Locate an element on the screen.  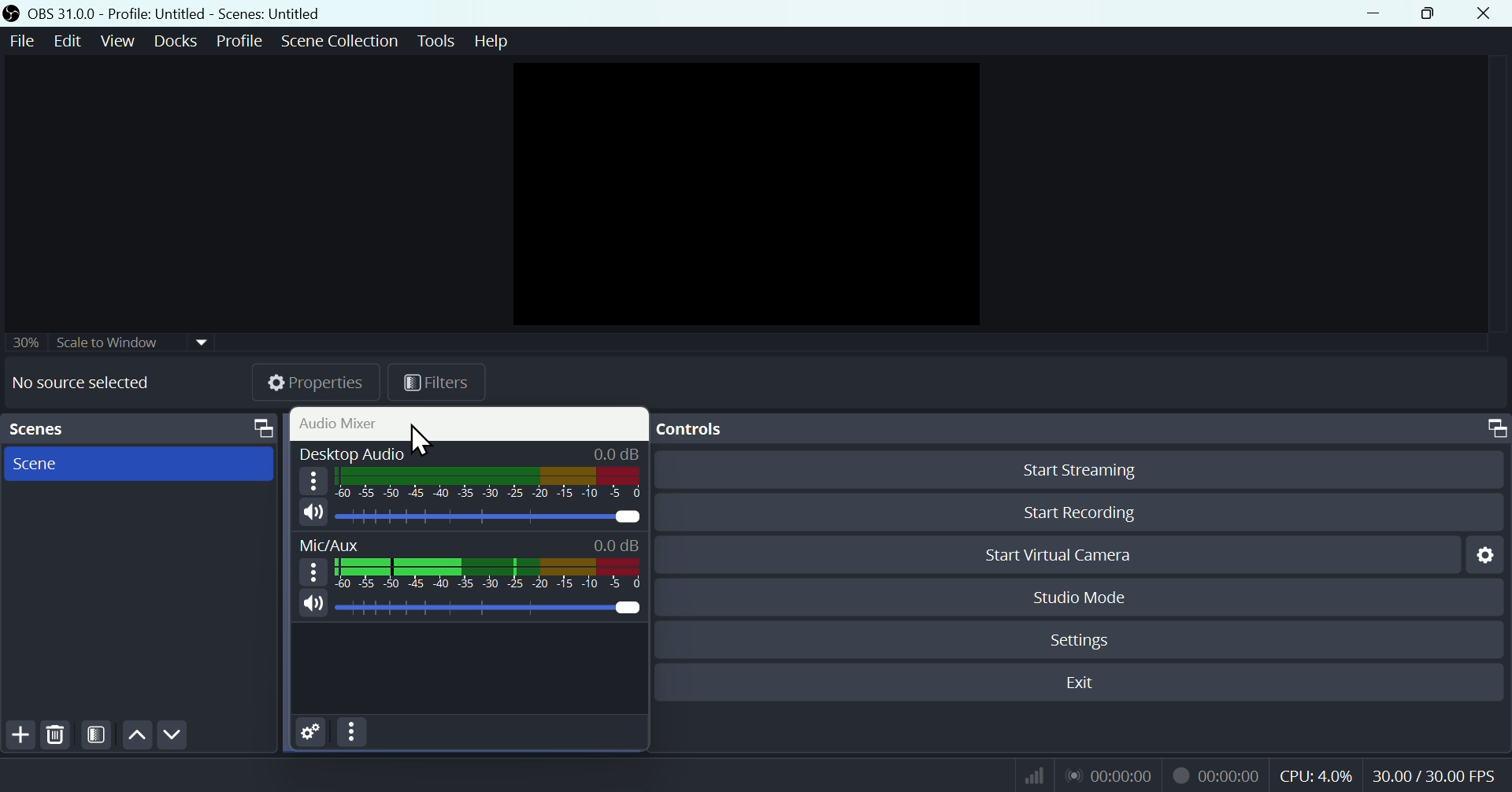
scene is located at coordinates (140, 464).